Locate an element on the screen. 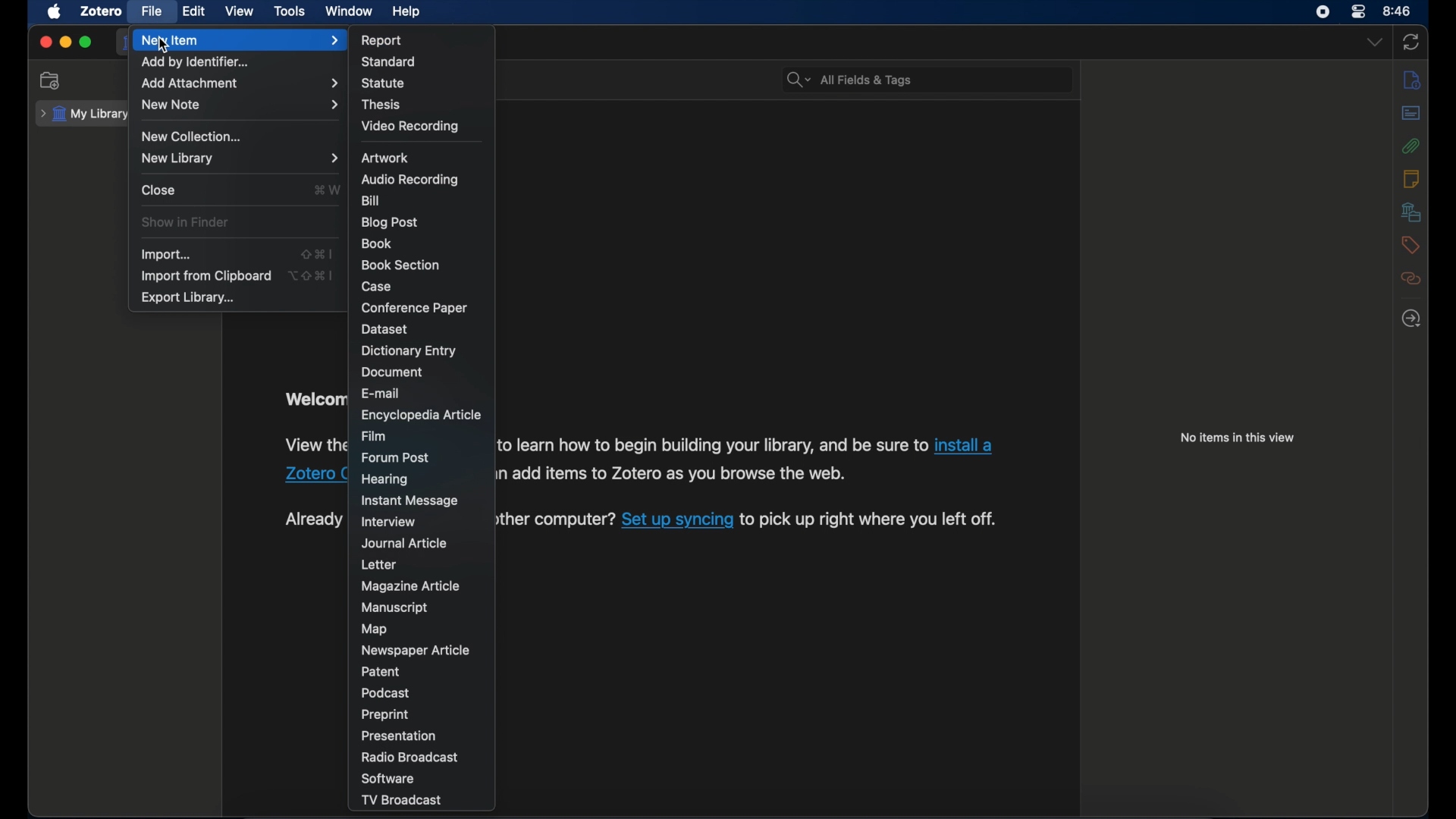 Image resolution: width=1456 pixels, height=819 pixels. locate is located at coordinates (1411, 318).